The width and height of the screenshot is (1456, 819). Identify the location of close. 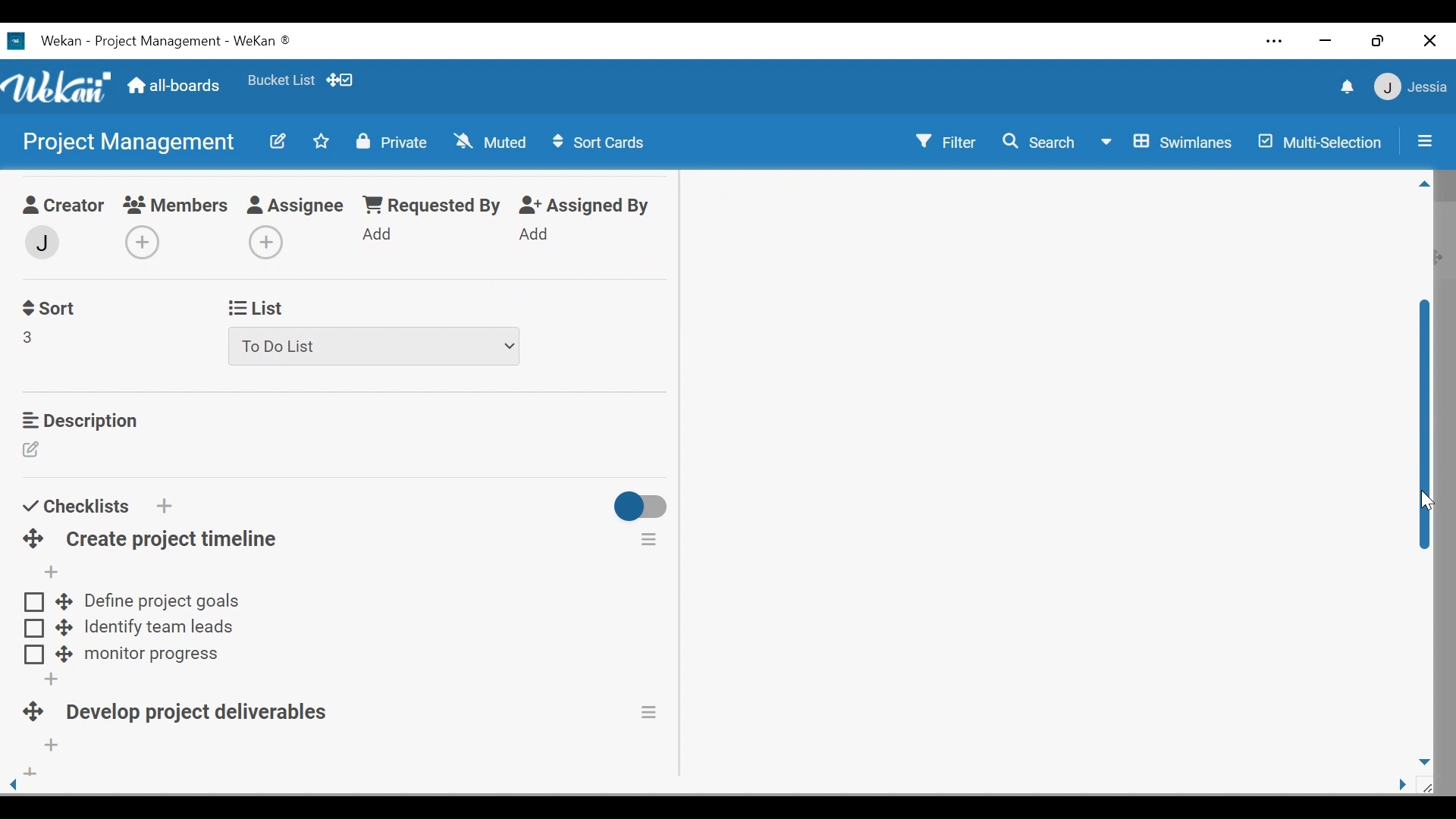
(1429, 41).